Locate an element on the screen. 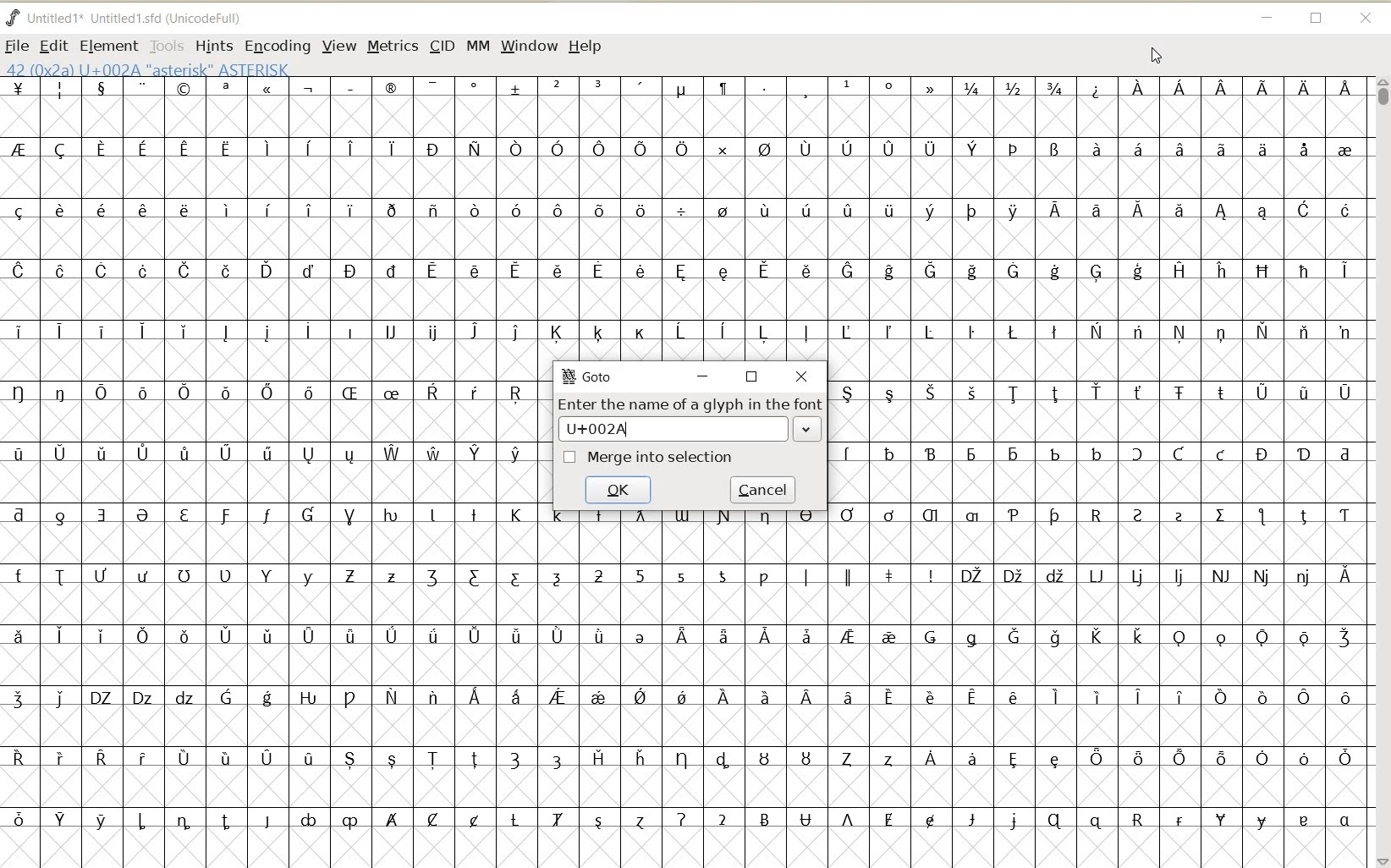  CLOSE is located at coordinates (1365, 18).